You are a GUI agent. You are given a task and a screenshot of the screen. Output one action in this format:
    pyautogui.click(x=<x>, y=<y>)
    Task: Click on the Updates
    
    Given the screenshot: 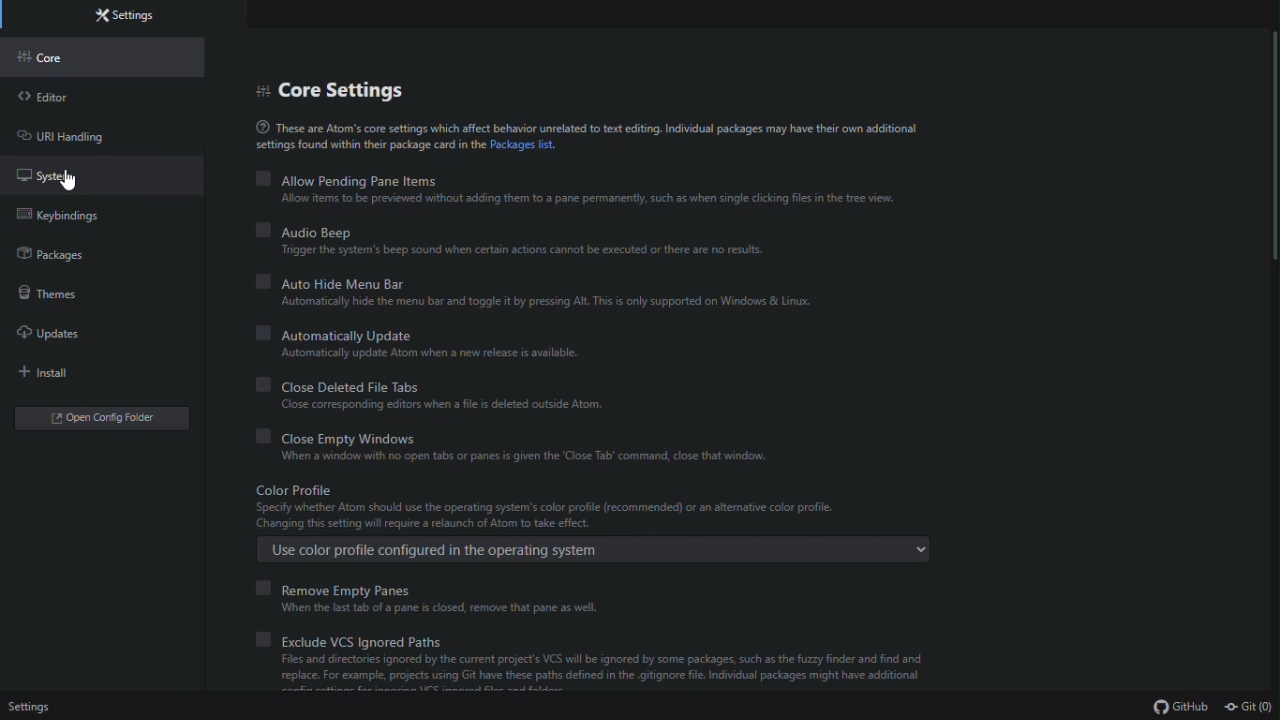 What is the action you would take?
    pyautogui.click(x=69, y=339)
    